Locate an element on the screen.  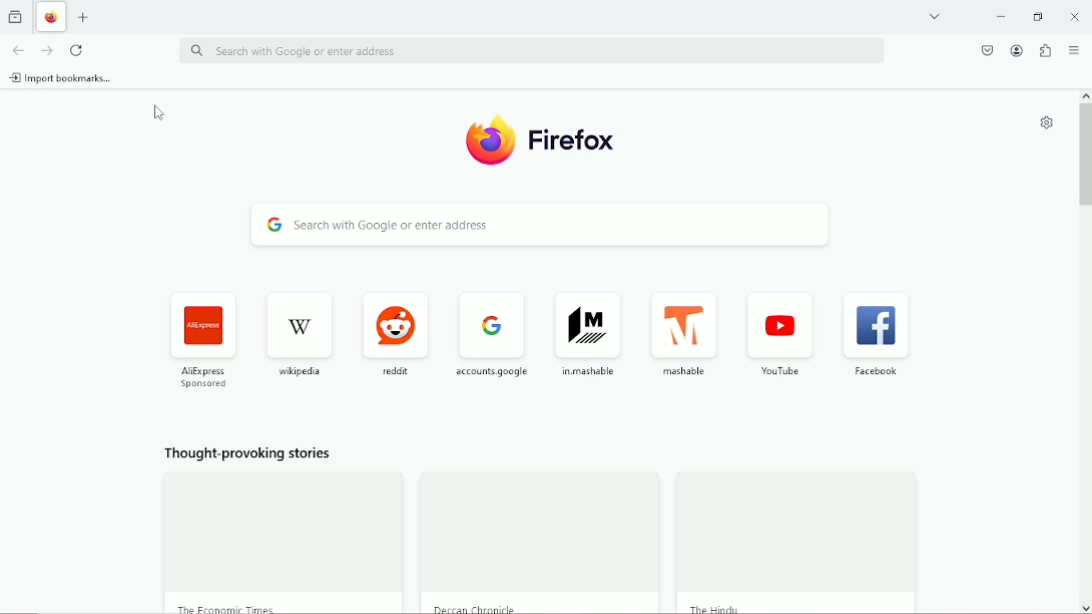
Minimize is located at coordinates (1002, 16).